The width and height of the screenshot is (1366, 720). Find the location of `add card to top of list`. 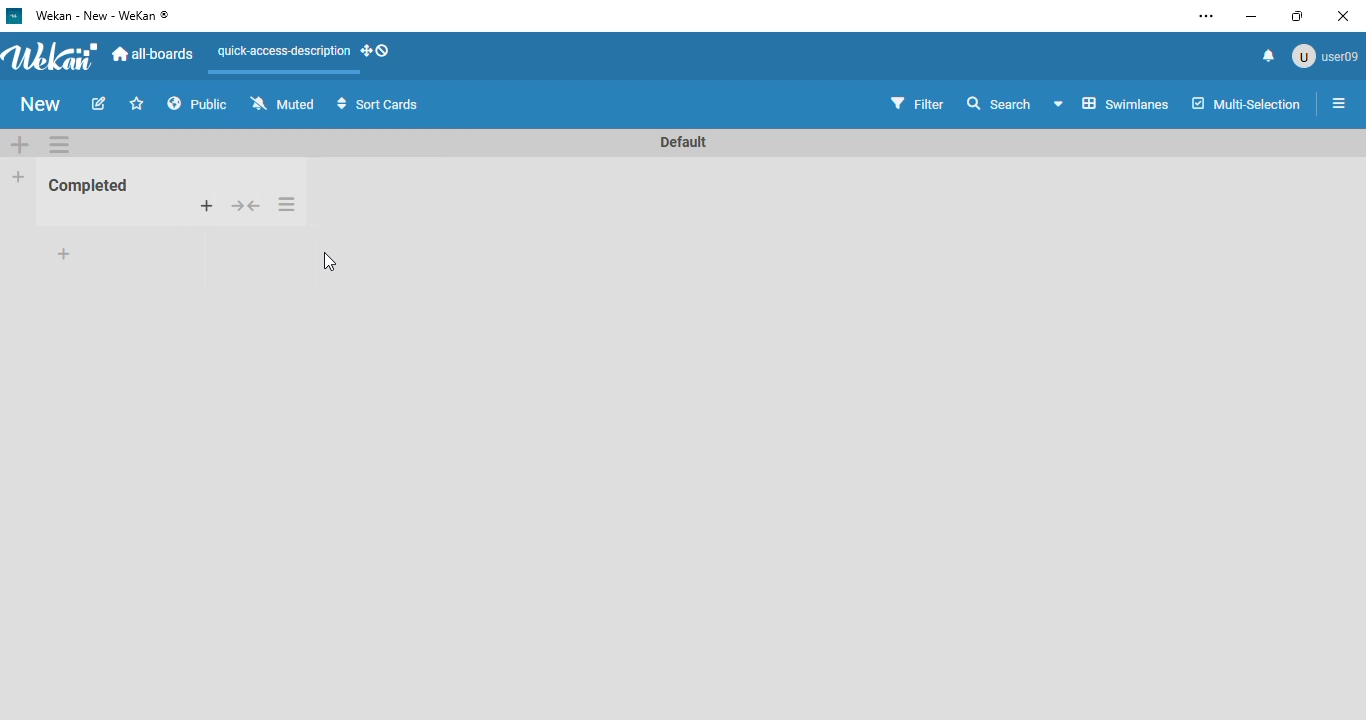

add card to top of list is located at coordinates (207, 207).